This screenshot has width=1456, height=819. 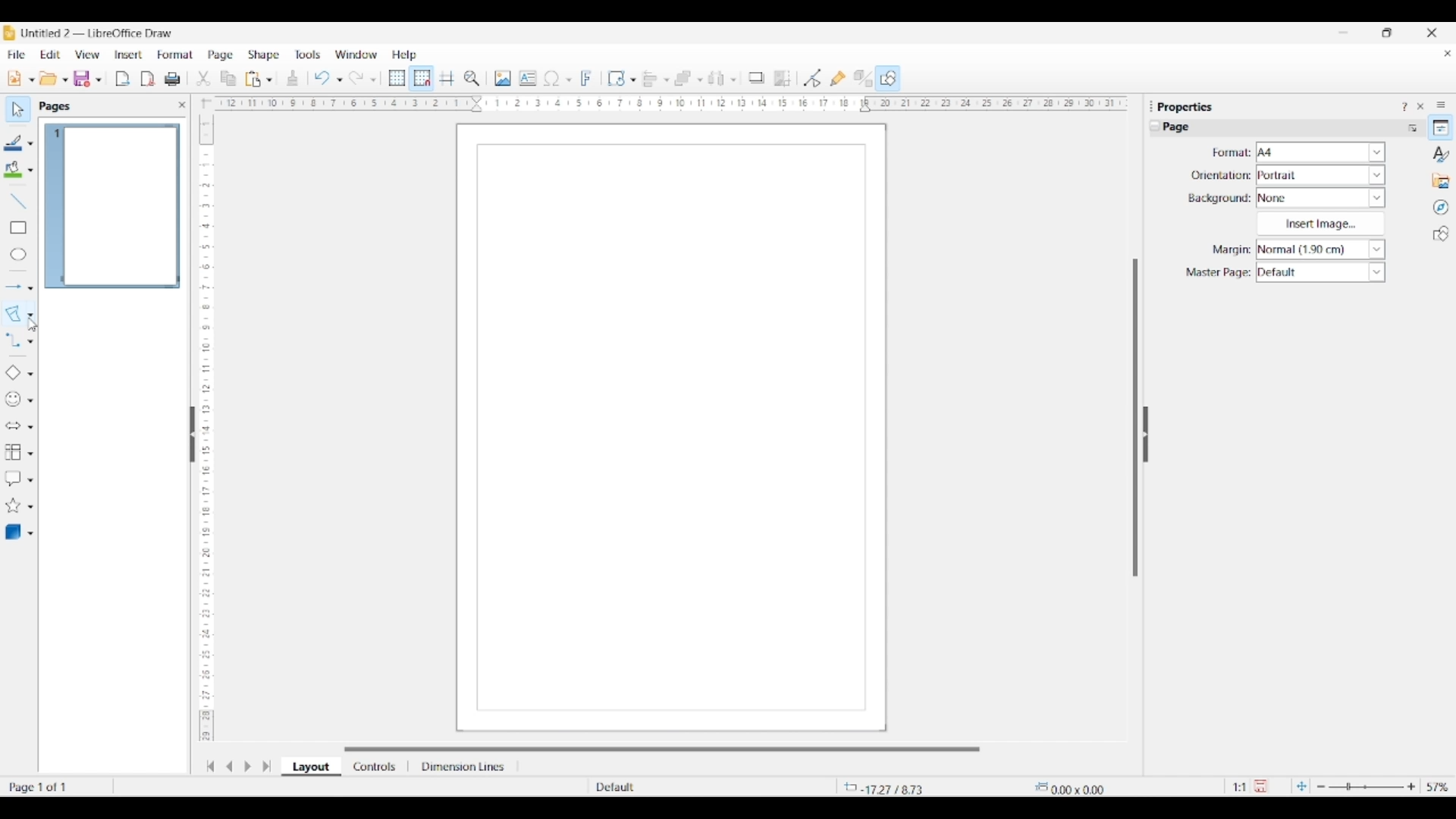 What do you see at coordinates (376, 767) in the screenshot?
I see `Controls` at bounding box center [376, 767].